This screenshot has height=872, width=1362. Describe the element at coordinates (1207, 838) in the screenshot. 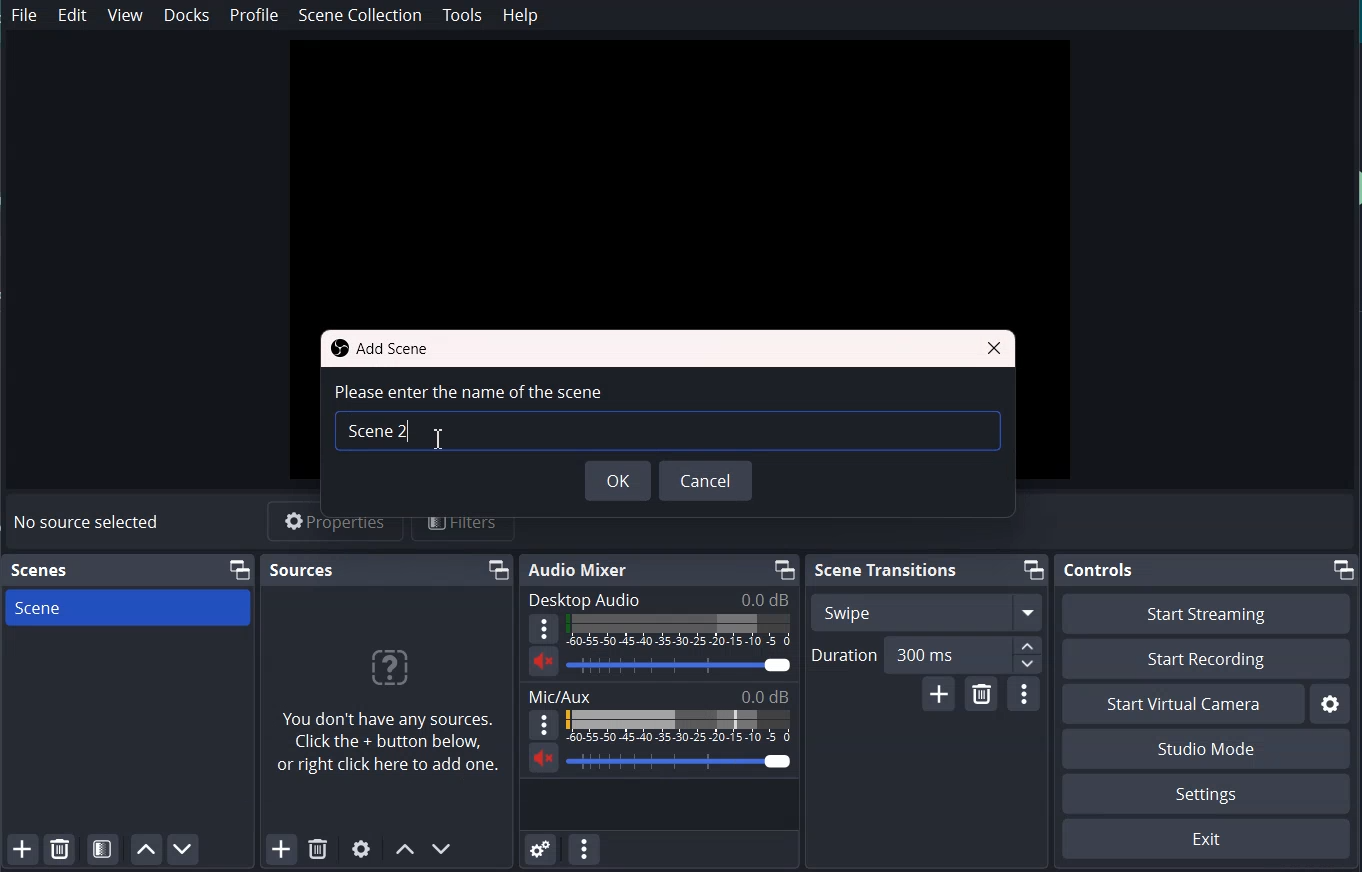

I see `Exit` at that location.